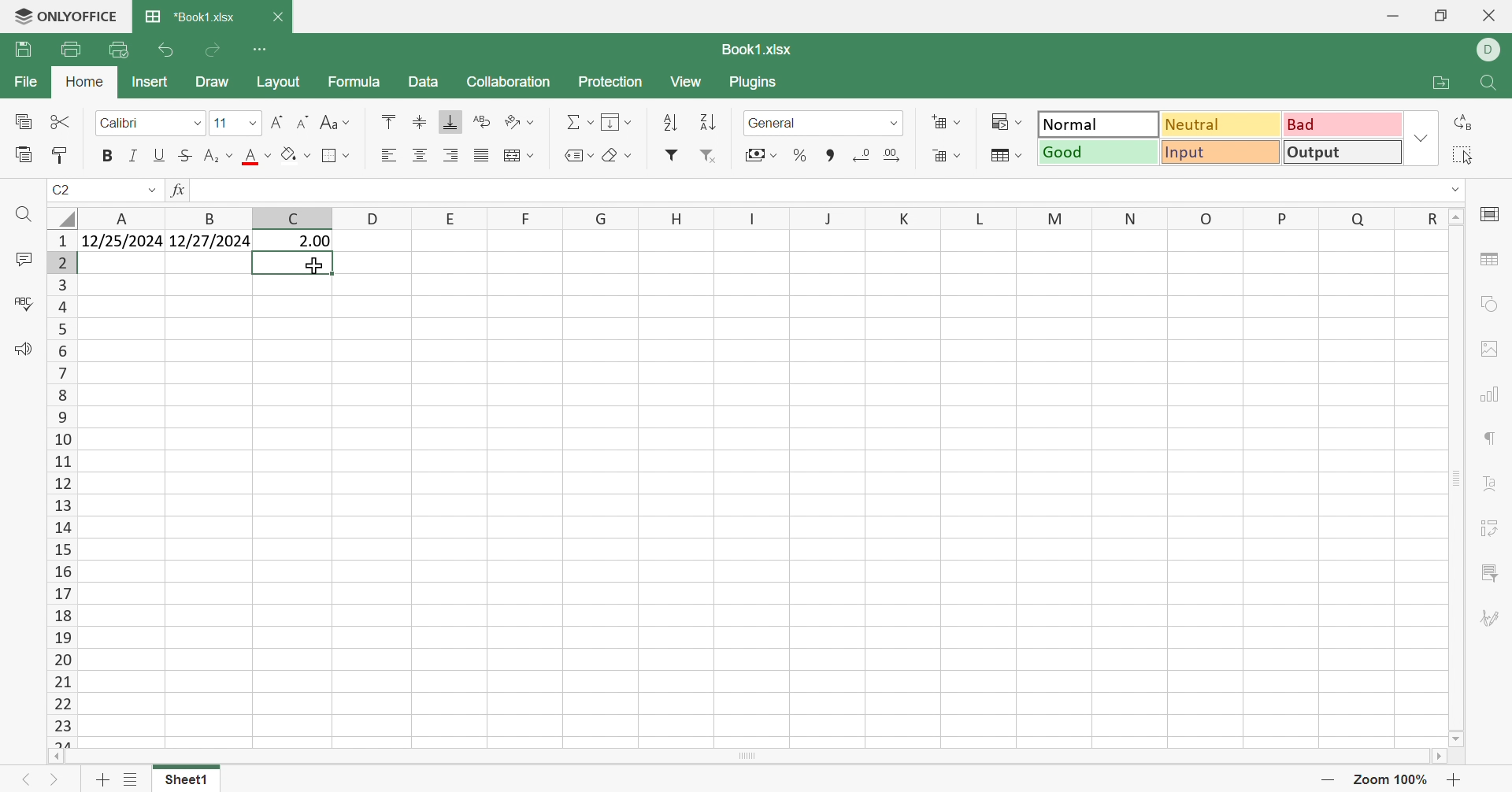 Image resolution: width=1512 pixels, height=792 pixels. What do you see at coordinates (777, 124) in the screenshot?
I see `number` at bounding box center [777, 124].